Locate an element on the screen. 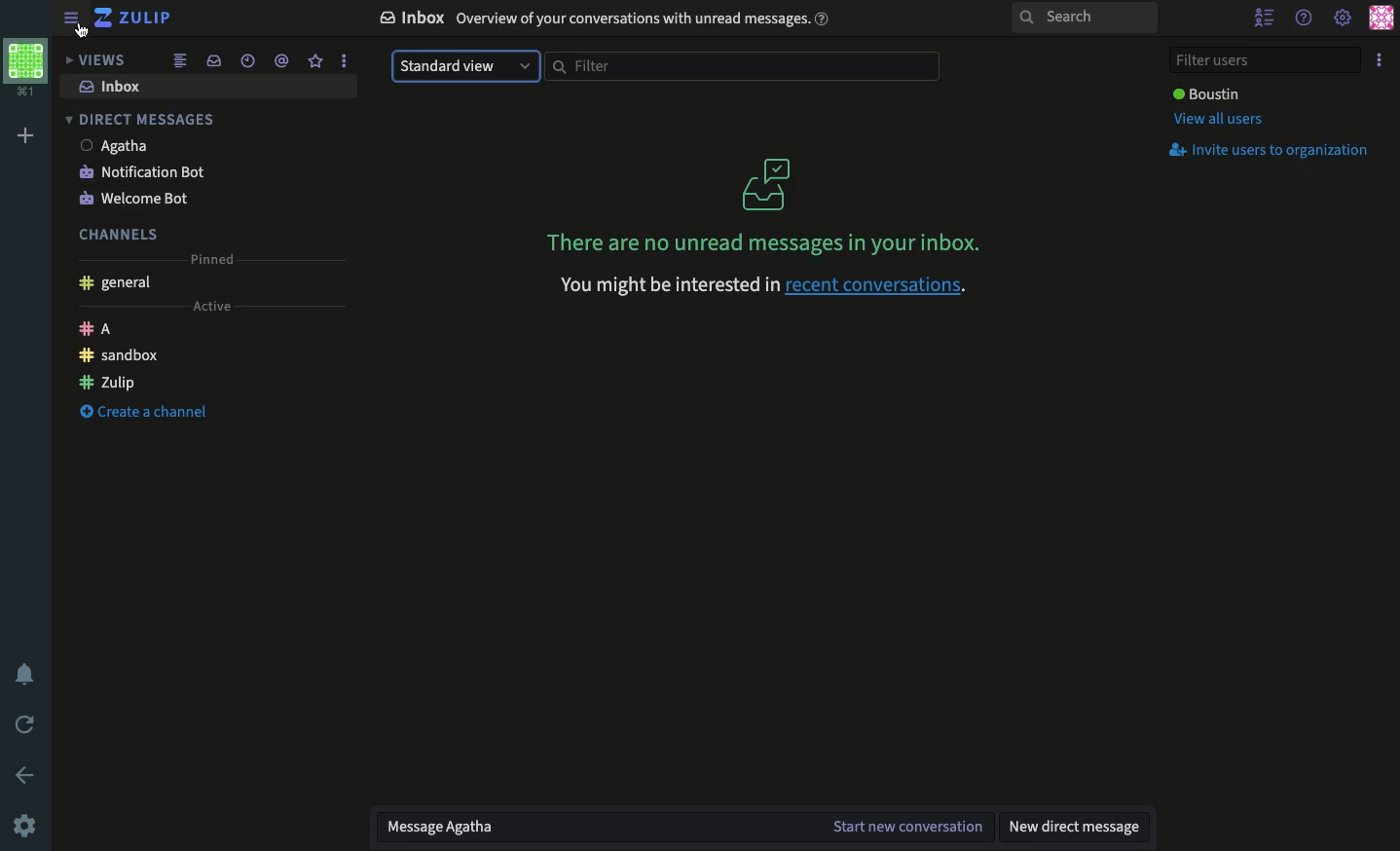  Hide menu is located at coordinates (72, 19).